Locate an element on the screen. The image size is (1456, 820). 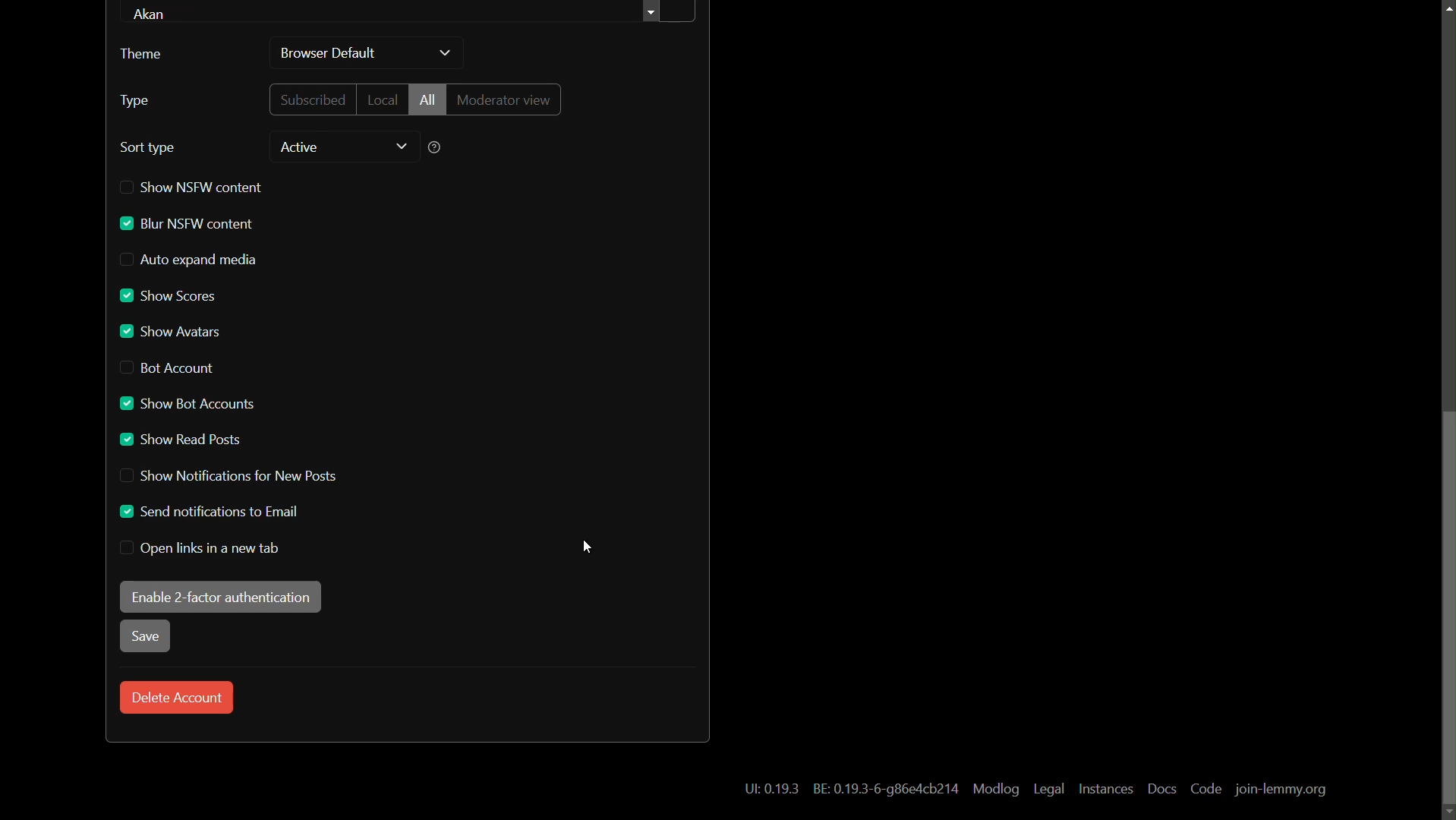
auto expand media is located at coordinates (190, 260).